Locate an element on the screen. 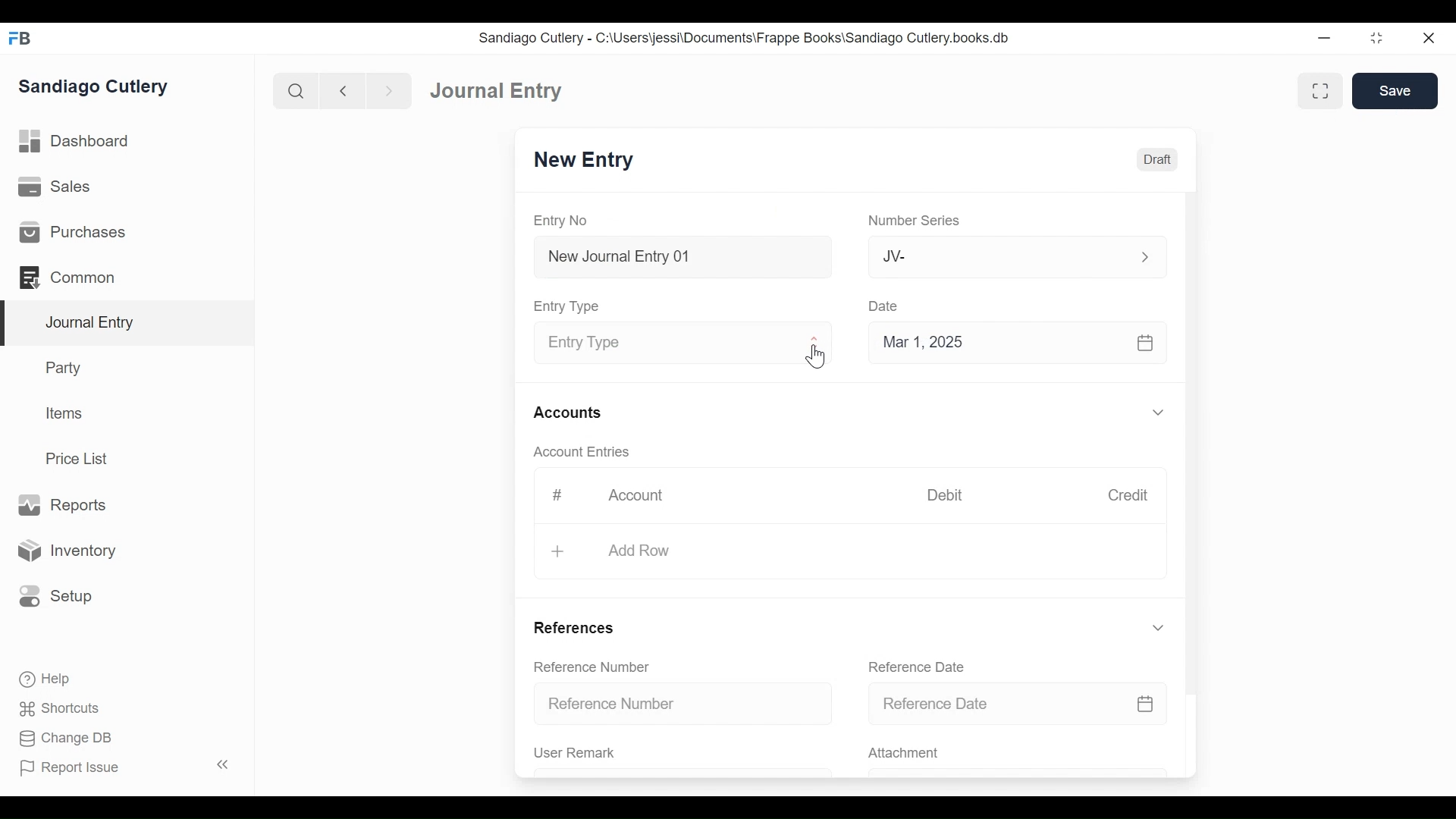  Debit is located at coordinates (948, 495).